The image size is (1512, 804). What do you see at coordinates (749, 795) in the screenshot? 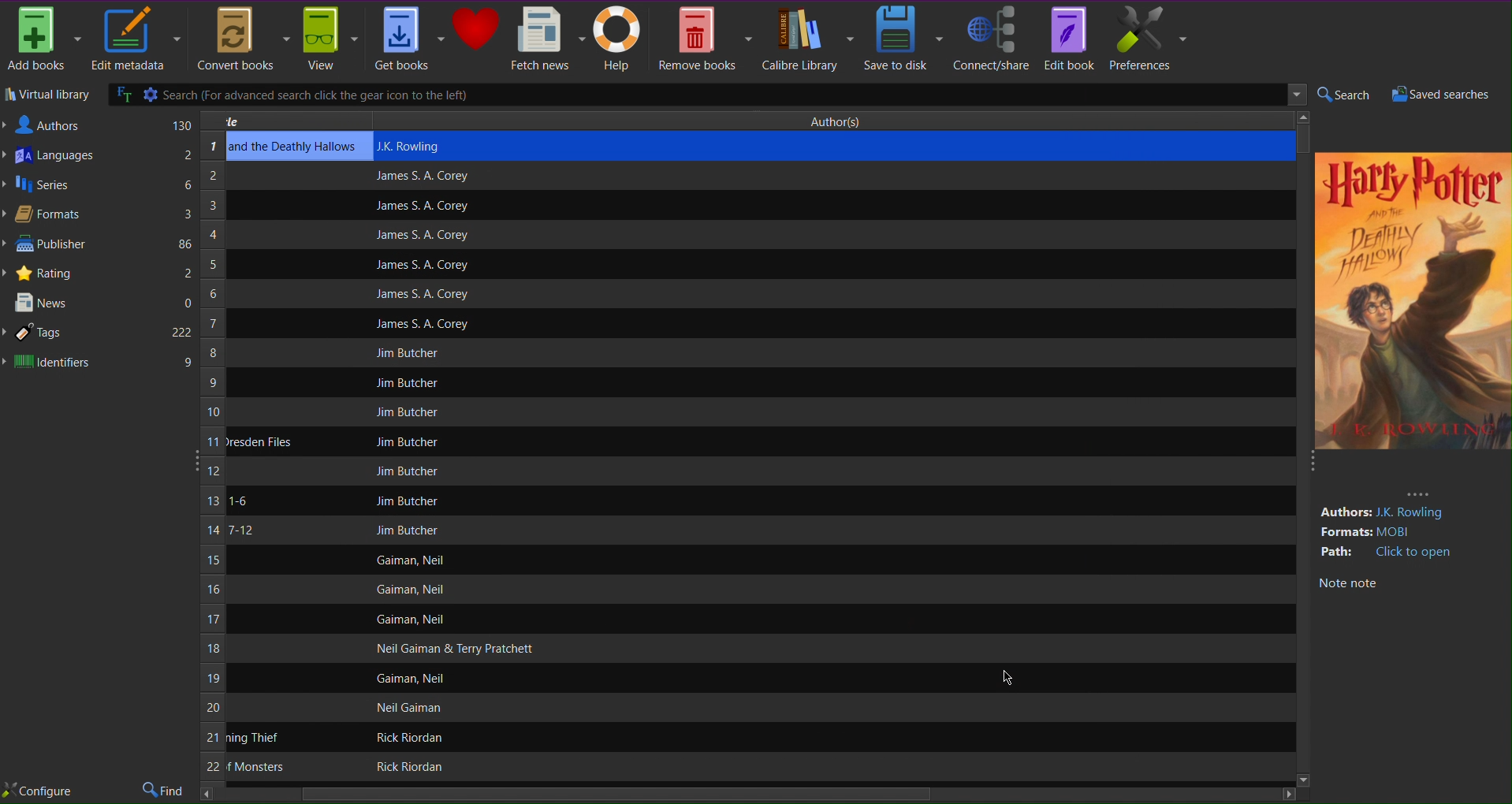
I see `Scrollbar` at bounding box center [749, 795].